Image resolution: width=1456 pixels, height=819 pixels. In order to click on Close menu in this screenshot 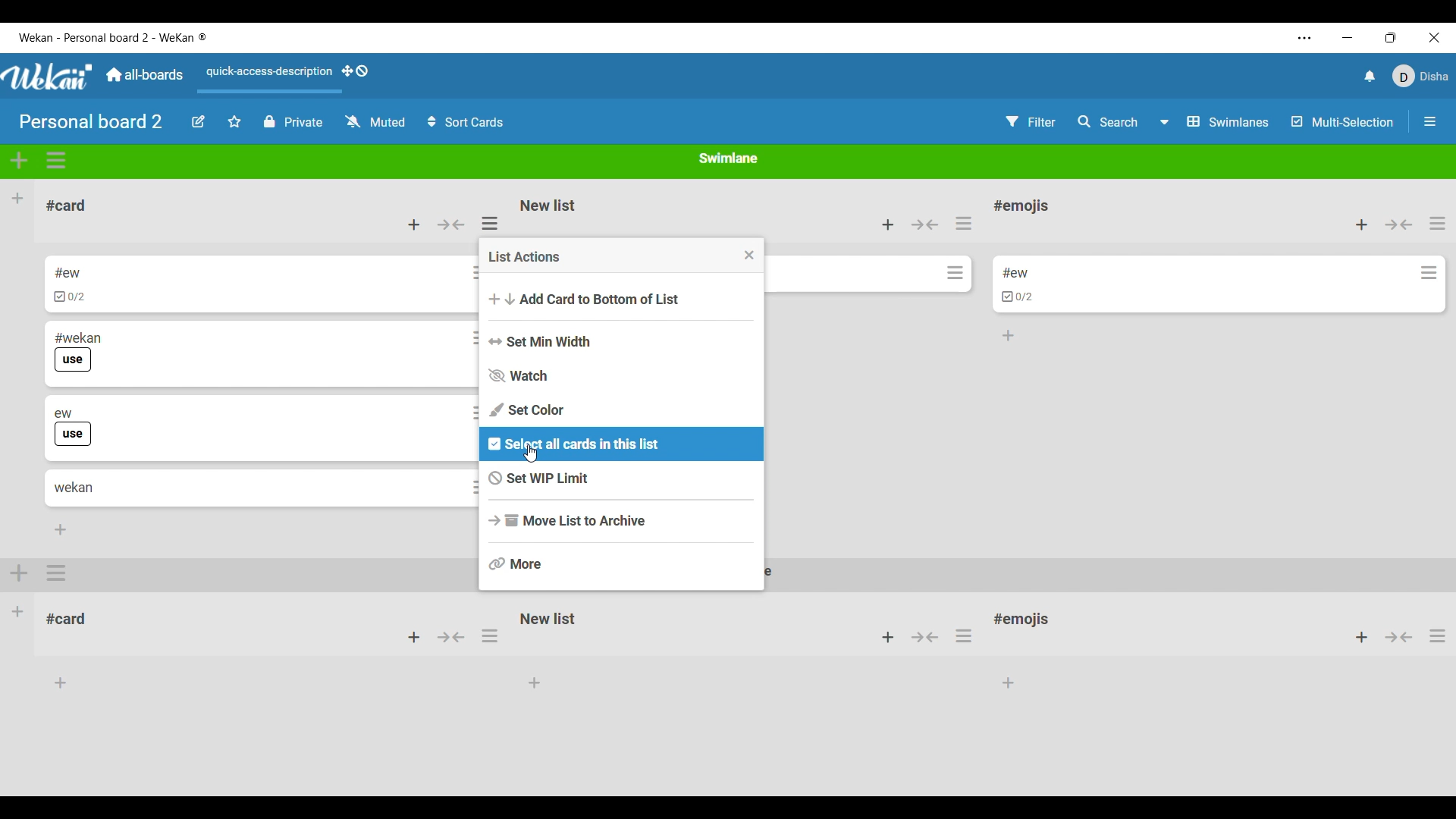, I will do `click(749, 255)`.